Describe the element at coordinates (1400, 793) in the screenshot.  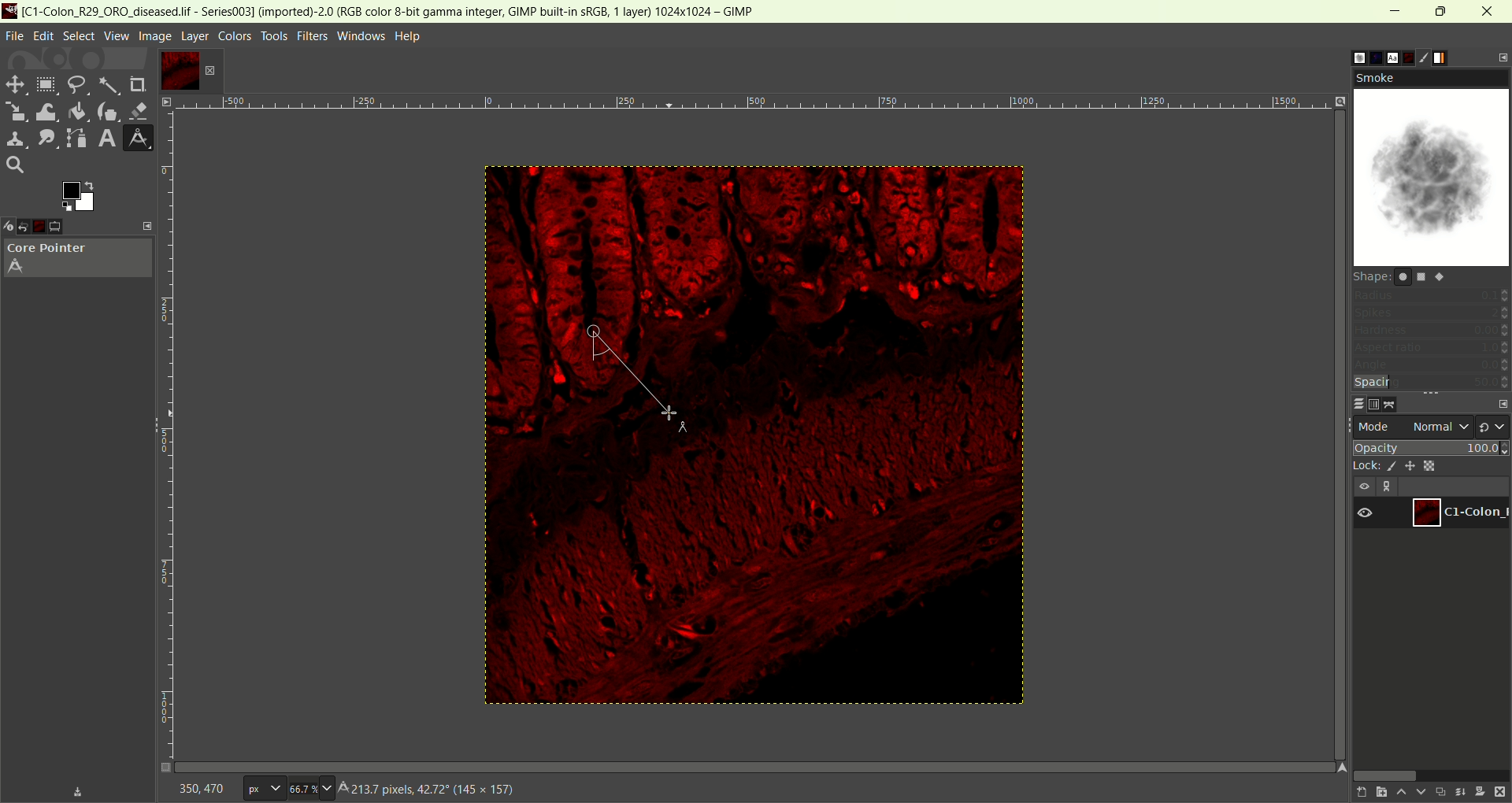
I see `raise this layer one step` at that location.